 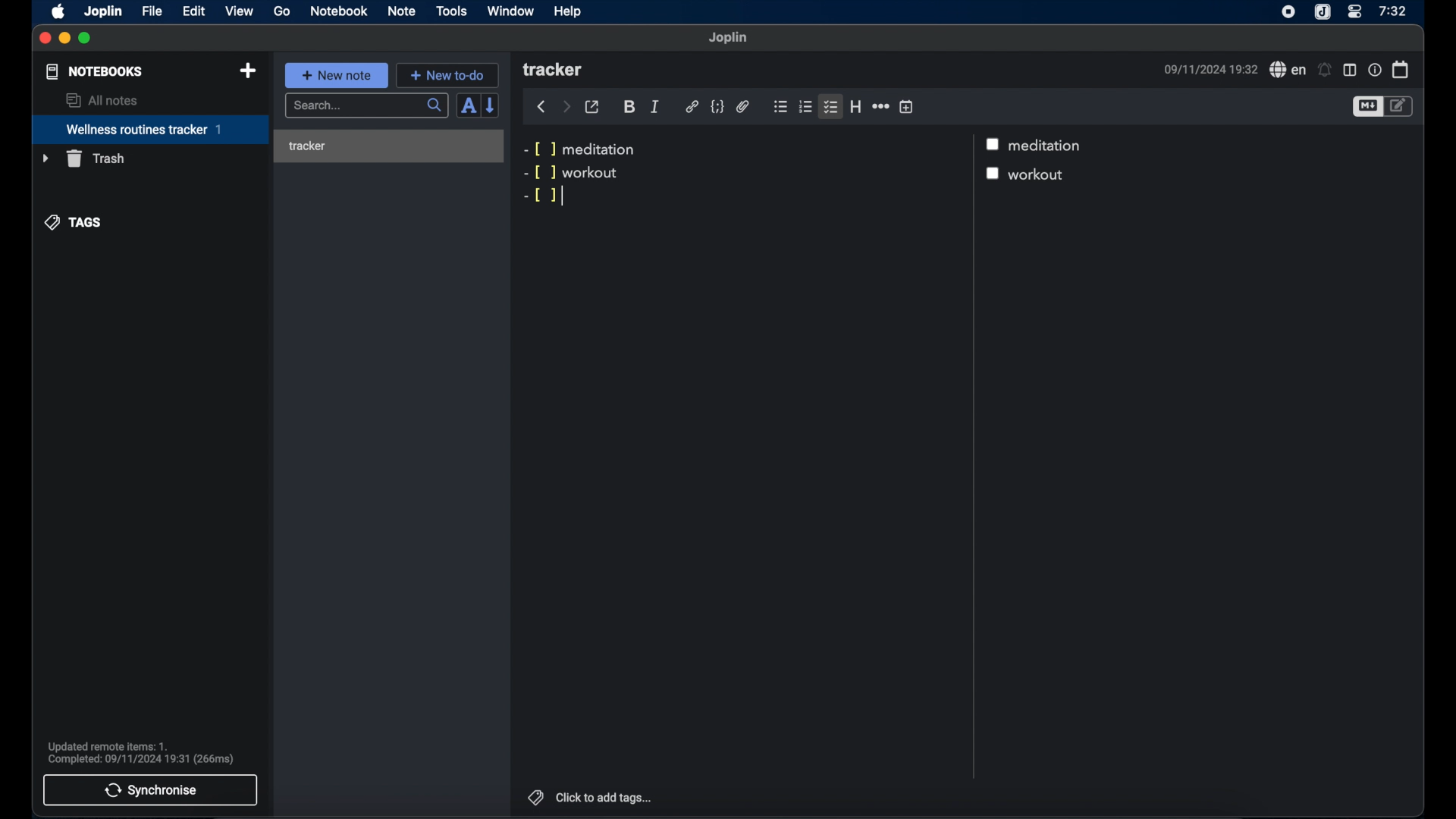 I want to click on go, so click(x=282, y=11).